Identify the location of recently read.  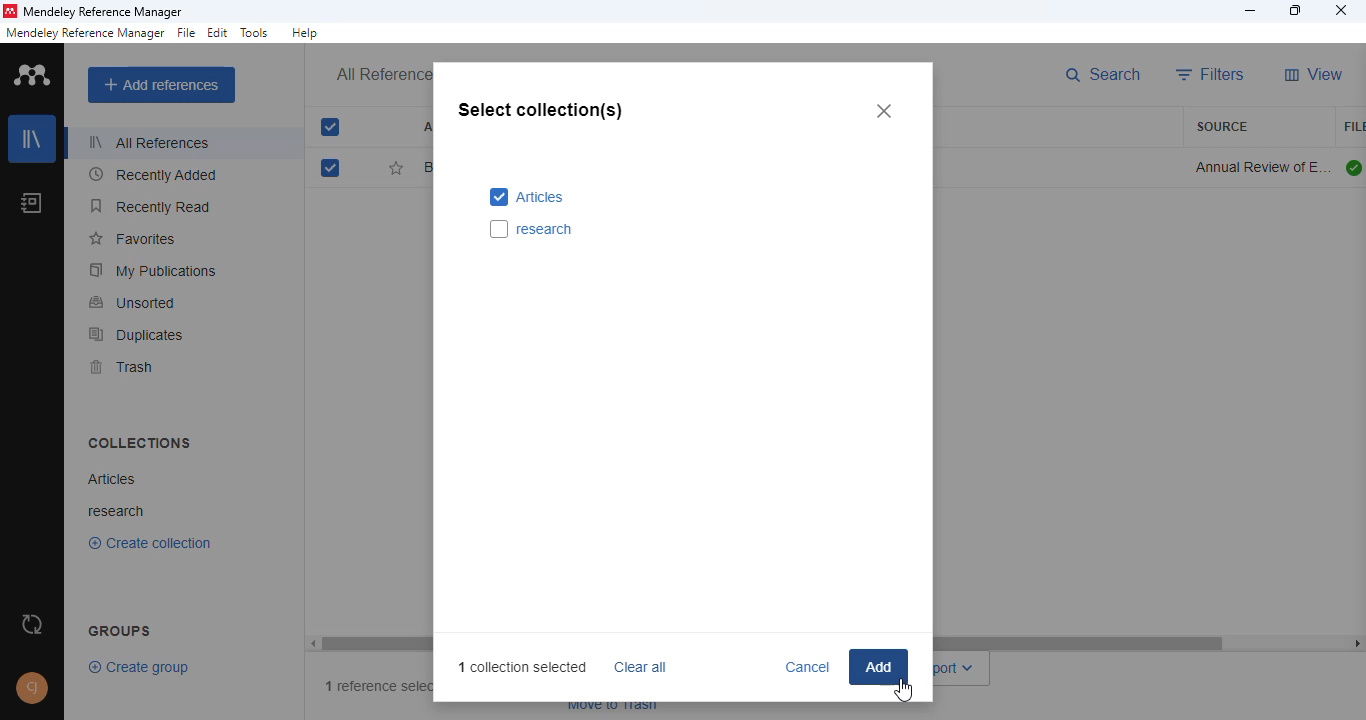
(150, 206).